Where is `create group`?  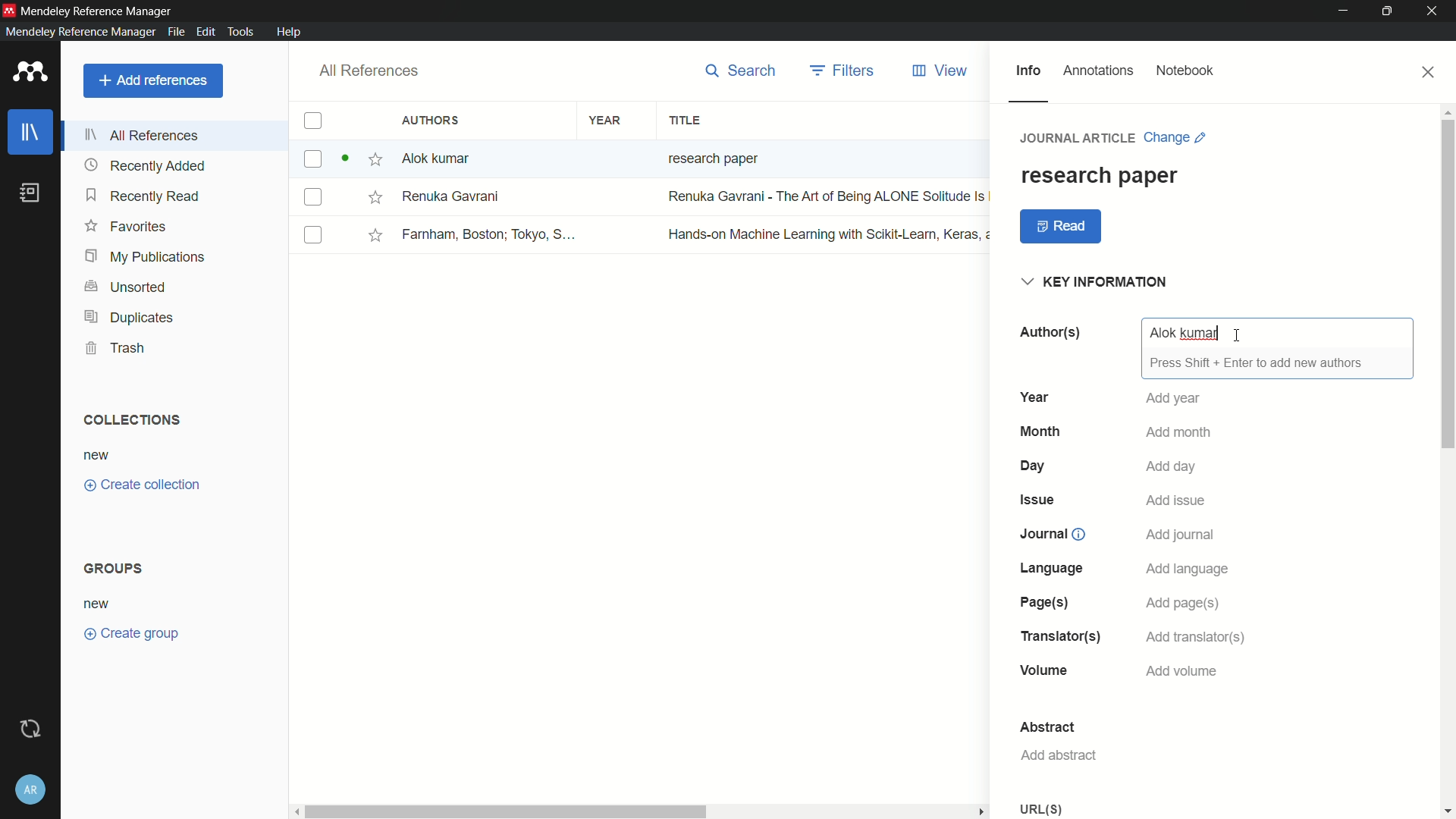 create group is located at coordinates (130, 632).